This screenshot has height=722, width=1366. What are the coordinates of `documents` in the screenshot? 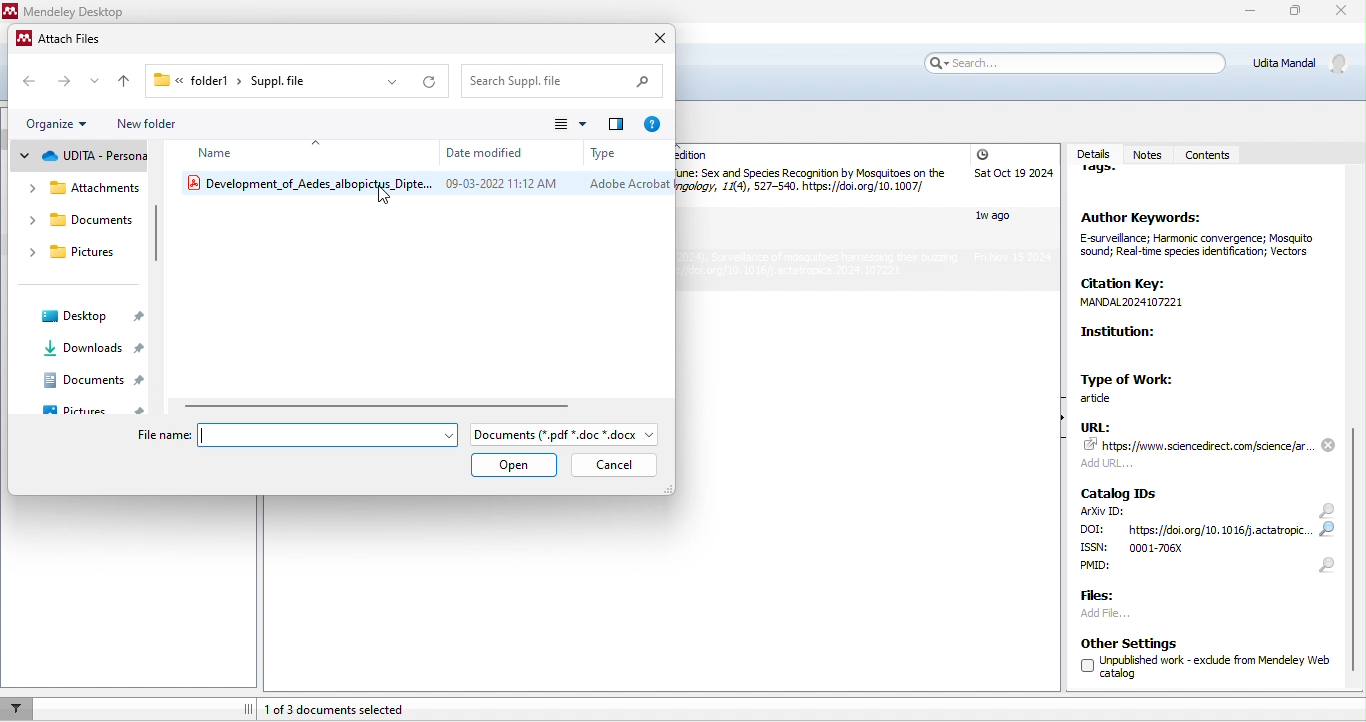 It's located at (74, 217).